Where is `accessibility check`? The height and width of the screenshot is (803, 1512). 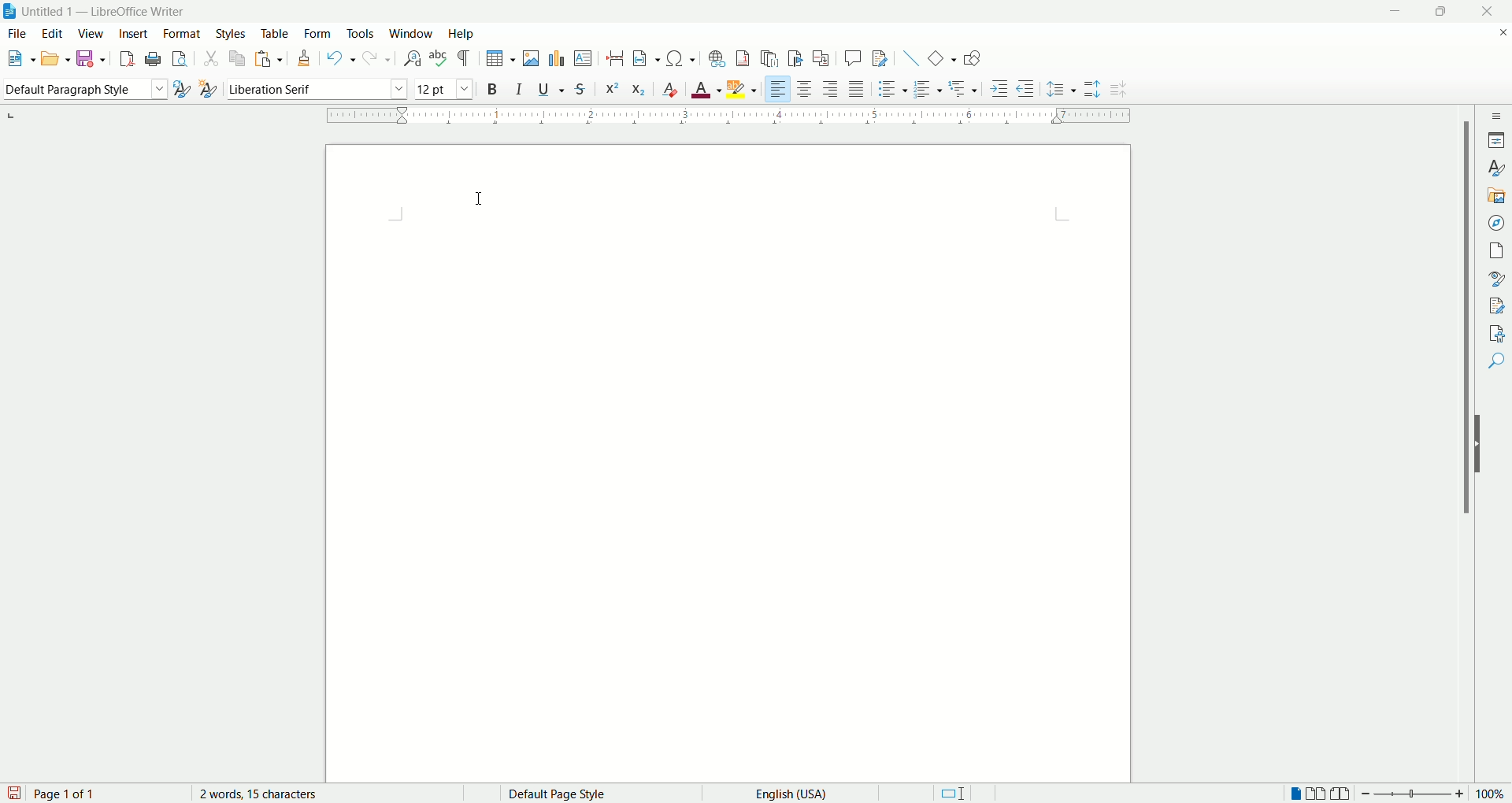
accessibility check is located at coordinates (1496, 334).